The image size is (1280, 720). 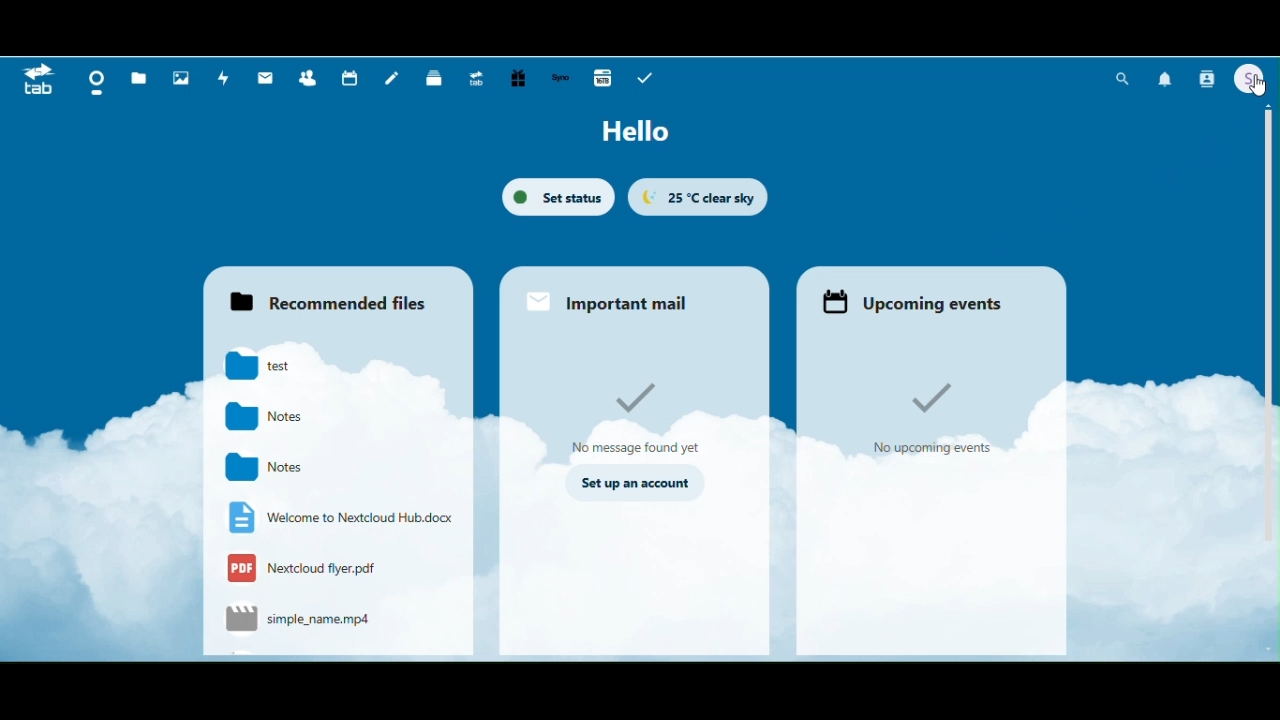 I want to click on Photos, so click(x=181, y=79).